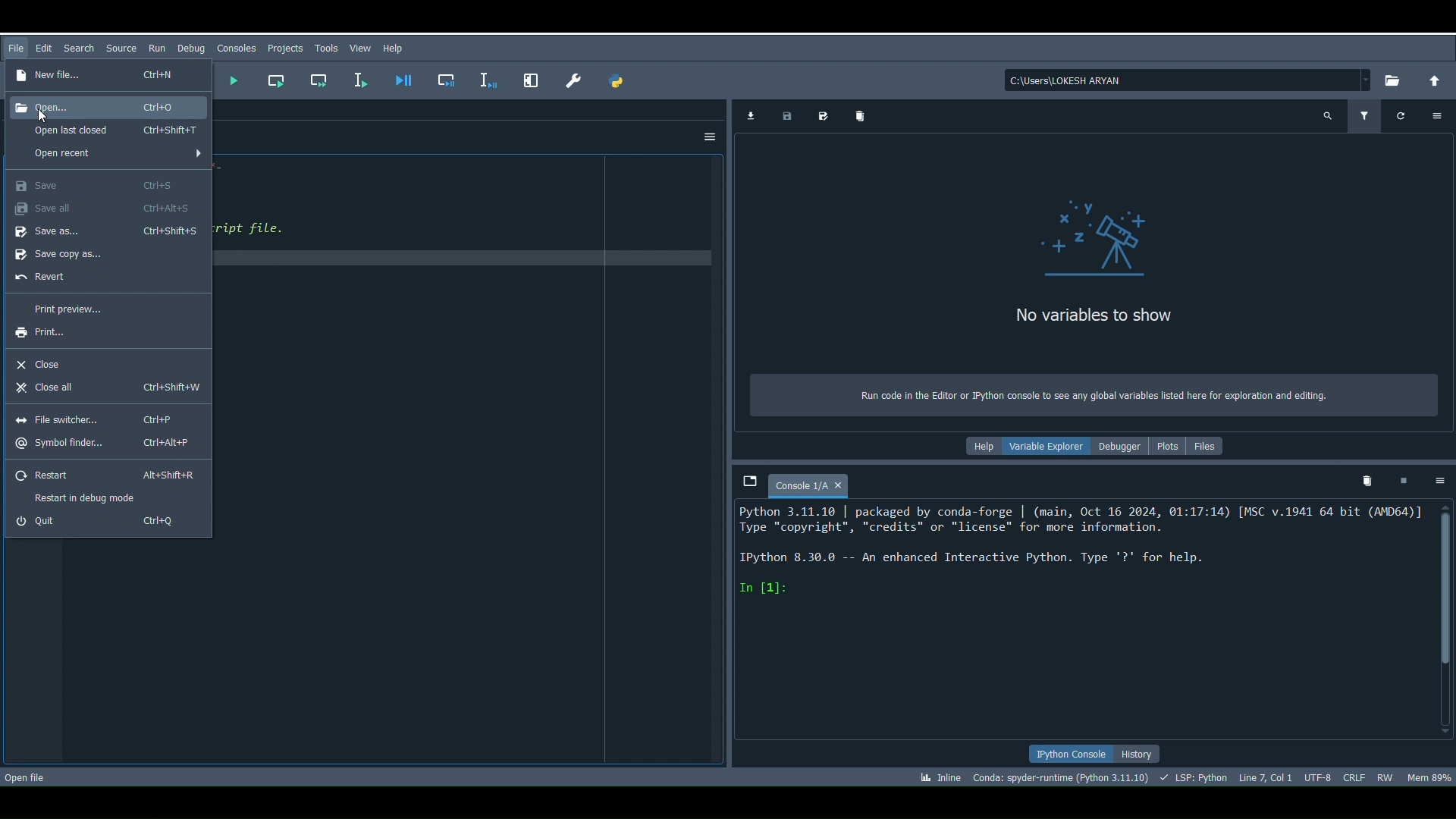  Describe the element at coordinates (569, 76) in the screenshot. I see `Preferences` at that location.